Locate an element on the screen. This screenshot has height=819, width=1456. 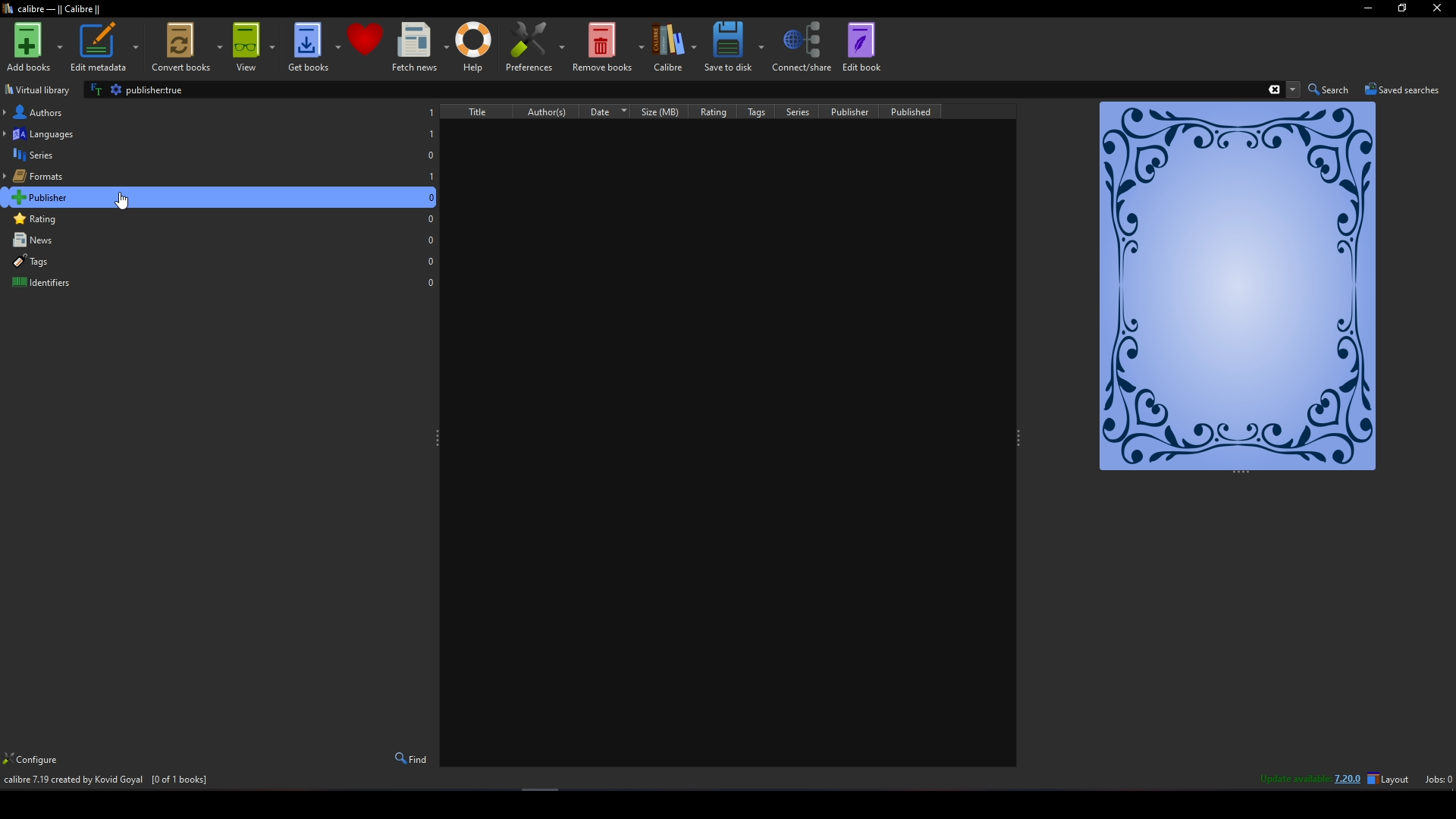
Books panel is located at coordinates (734, 457).